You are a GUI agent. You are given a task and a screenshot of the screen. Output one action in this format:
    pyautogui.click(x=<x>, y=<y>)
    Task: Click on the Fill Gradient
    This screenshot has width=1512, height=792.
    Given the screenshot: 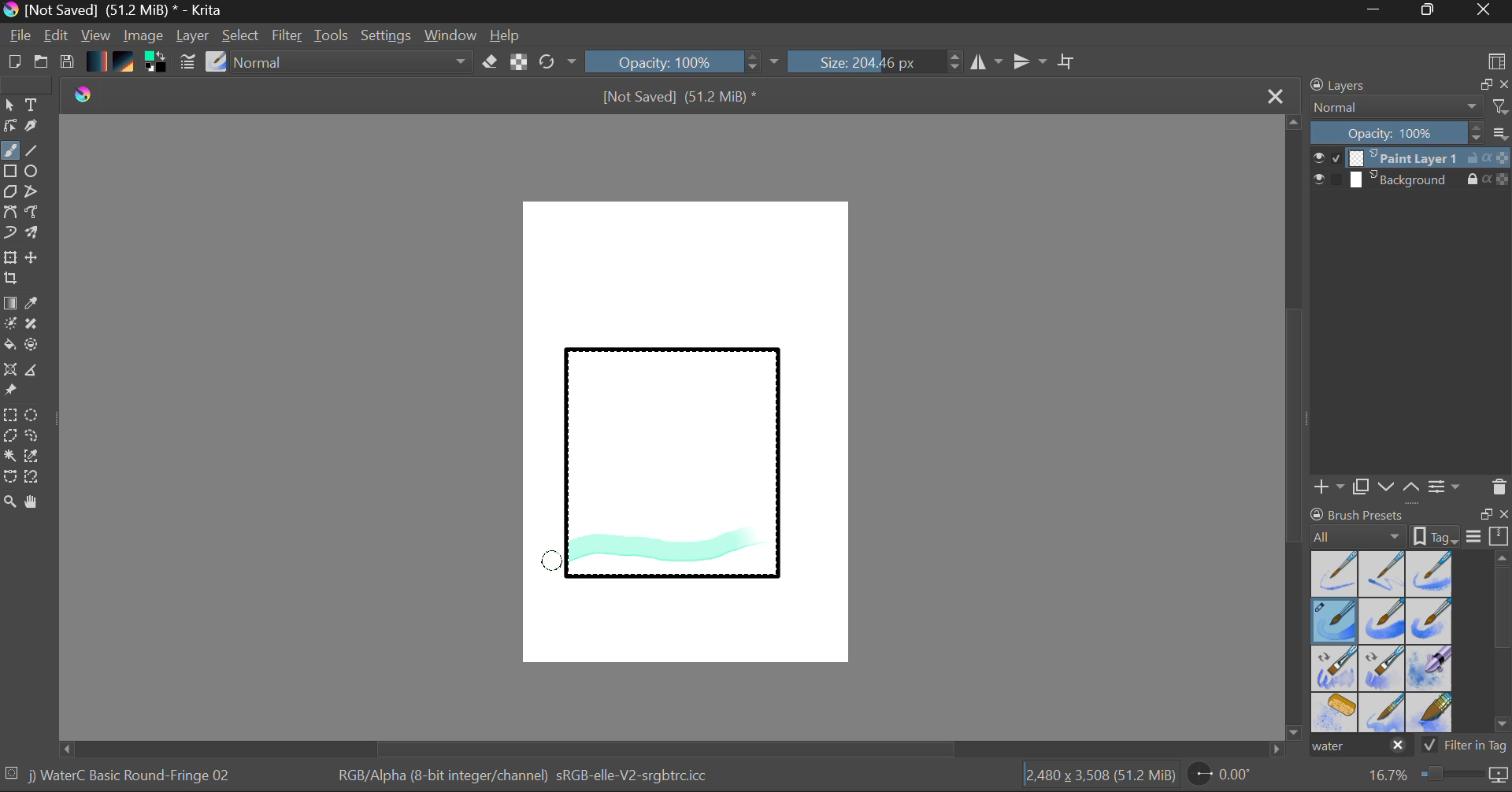 What is the action you would take?
    pyautogui.click(x=10, y=302)
    